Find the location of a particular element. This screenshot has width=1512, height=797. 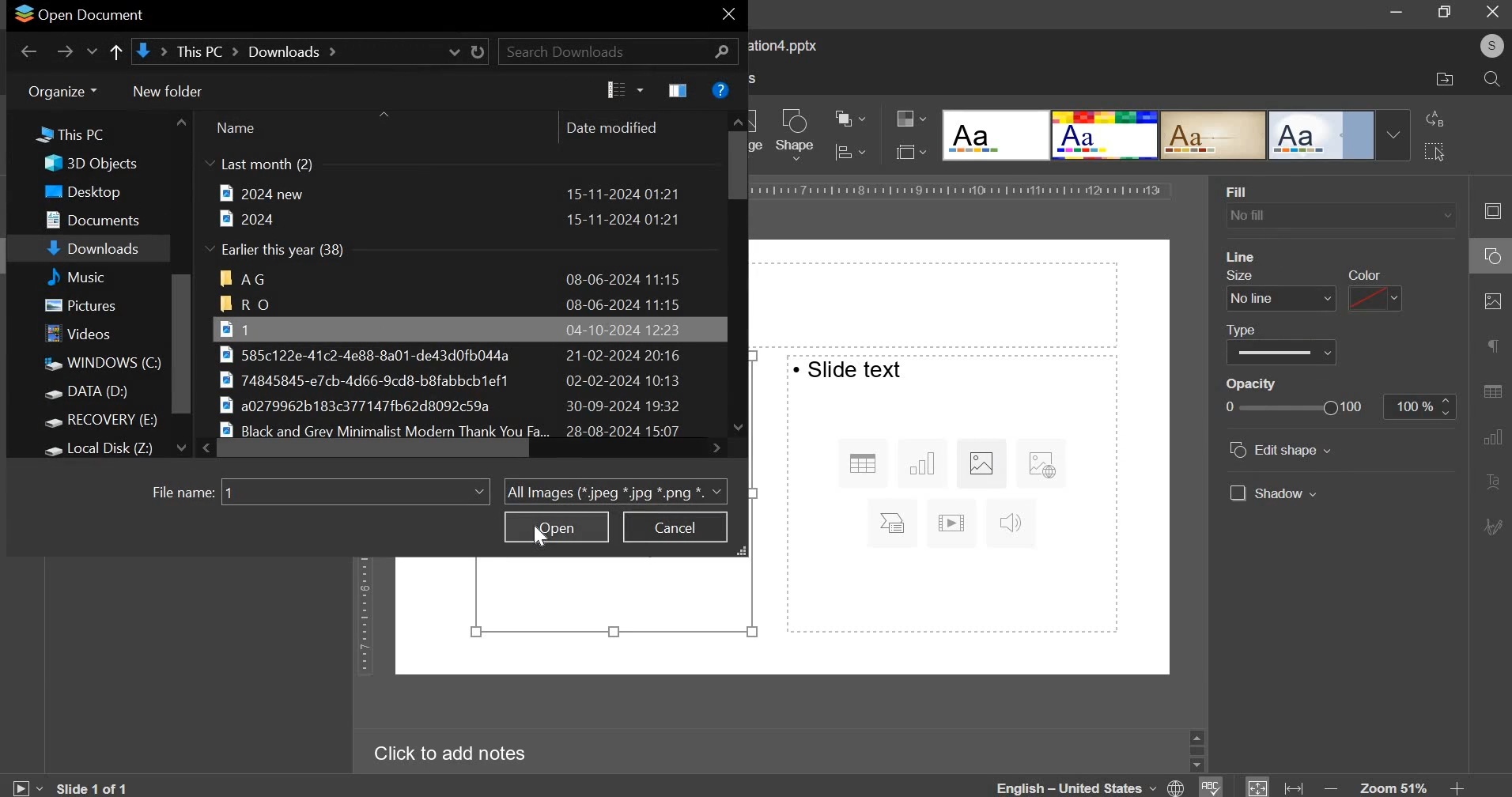

spell check is located at coordinates (1212, 787).